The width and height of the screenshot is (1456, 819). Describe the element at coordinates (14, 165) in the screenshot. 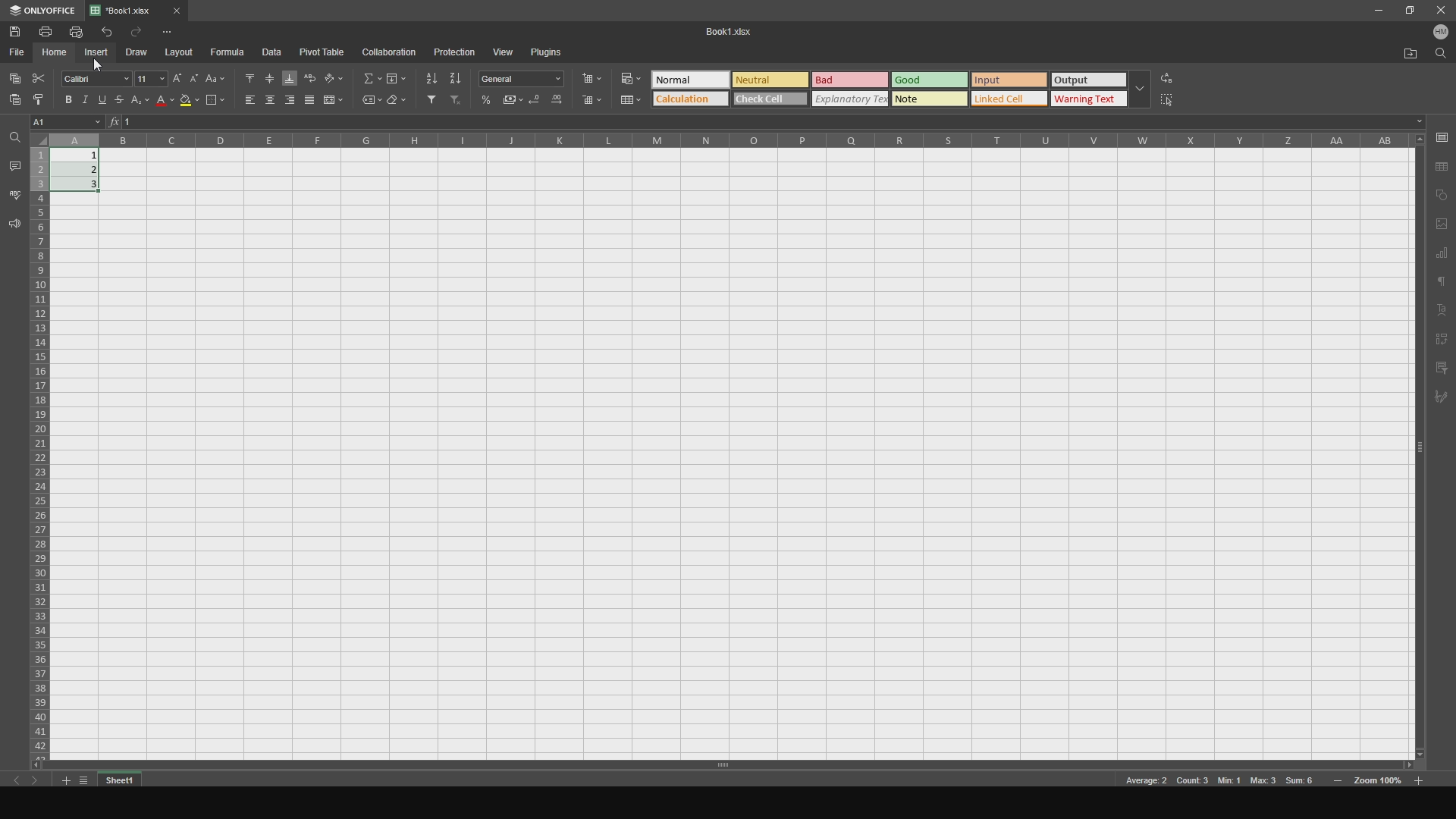

I see `comments` at that location.